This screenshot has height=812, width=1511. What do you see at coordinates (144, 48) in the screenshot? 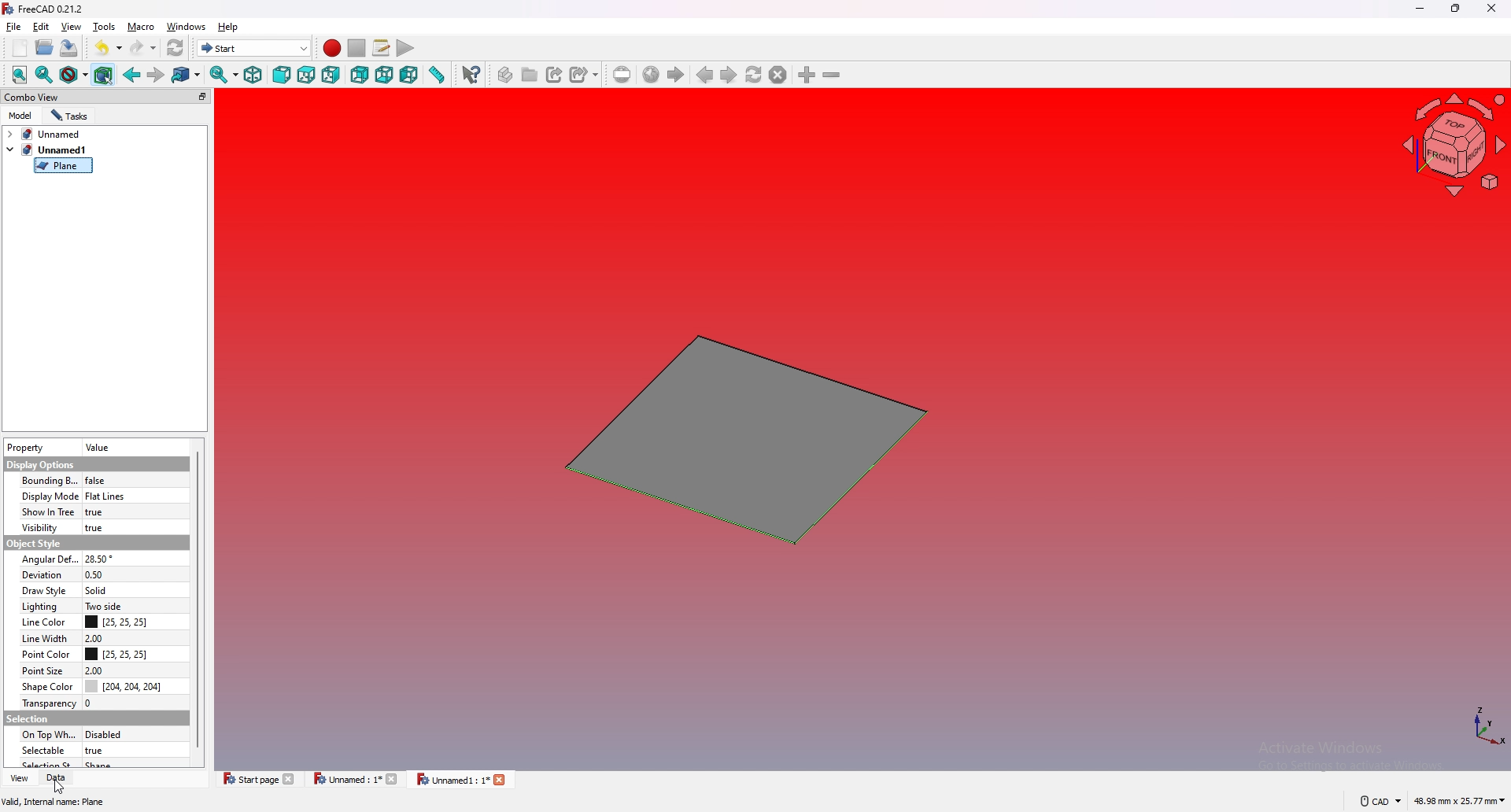
I see `redo` at bounding box center [144, 48].